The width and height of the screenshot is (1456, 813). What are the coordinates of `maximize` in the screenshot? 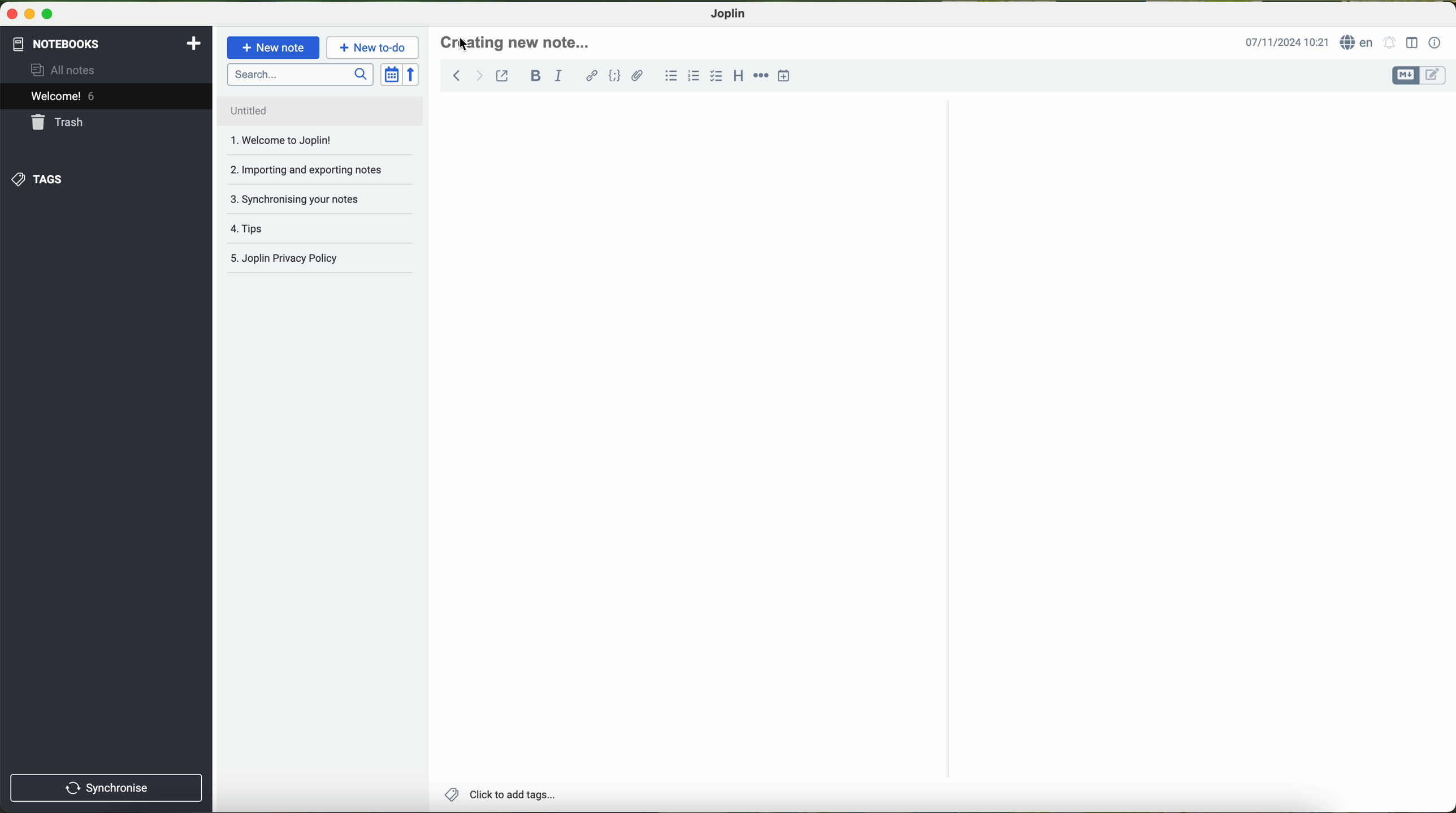 It's located at (48, 14).